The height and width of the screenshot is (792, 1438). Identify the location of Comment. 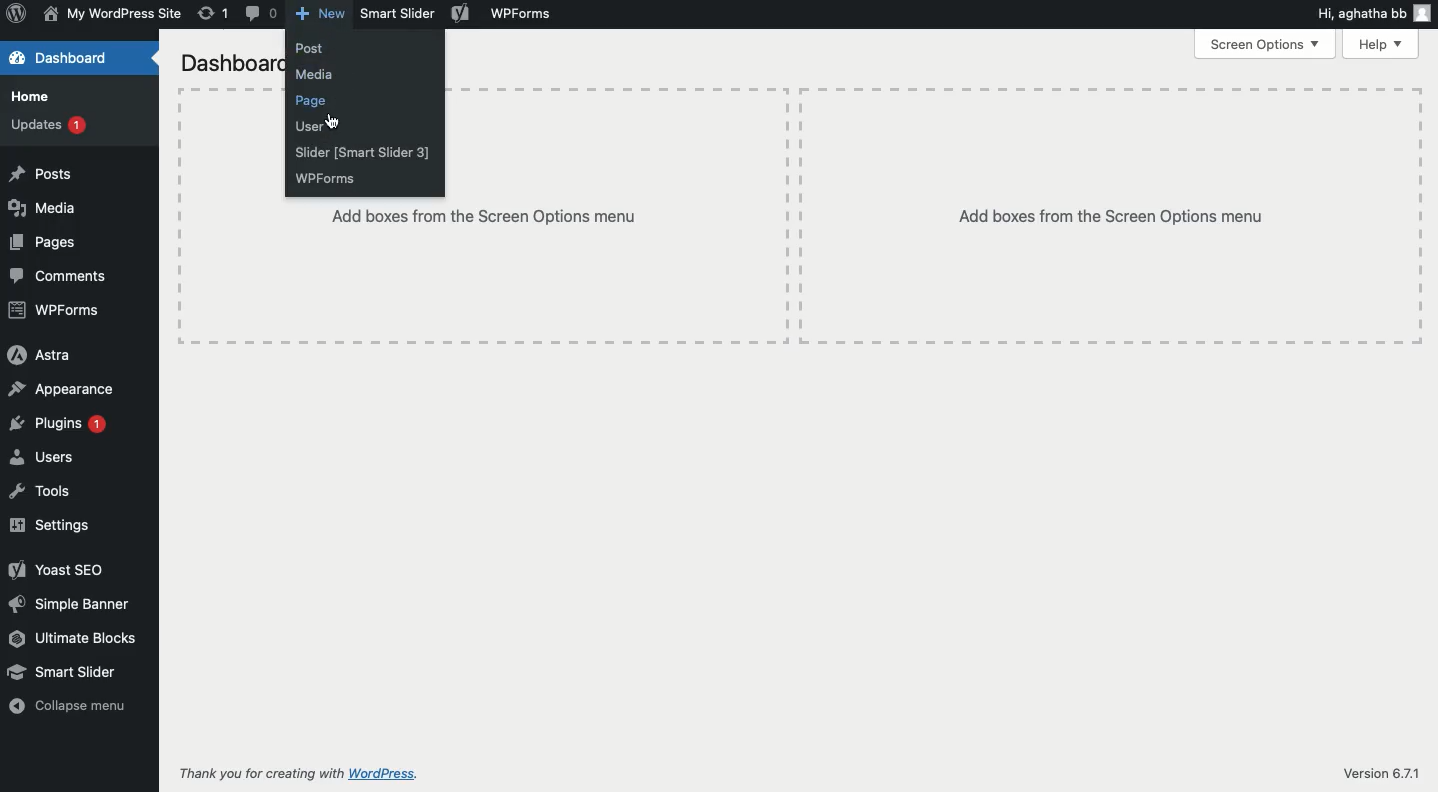
(261, 15).